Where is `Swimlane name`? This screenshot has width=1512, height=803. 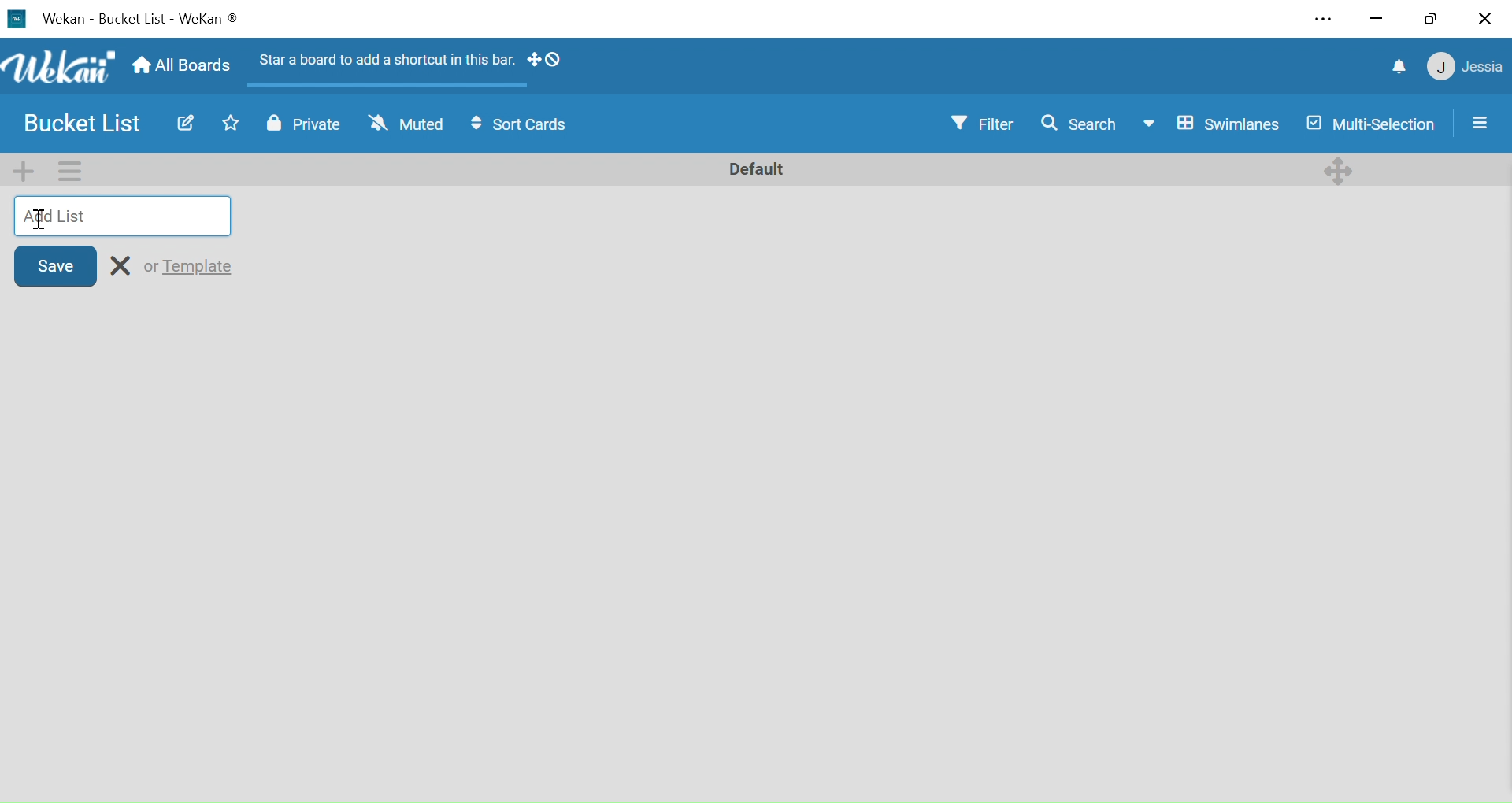 Swimlane name is located at coordinates (754, 168).